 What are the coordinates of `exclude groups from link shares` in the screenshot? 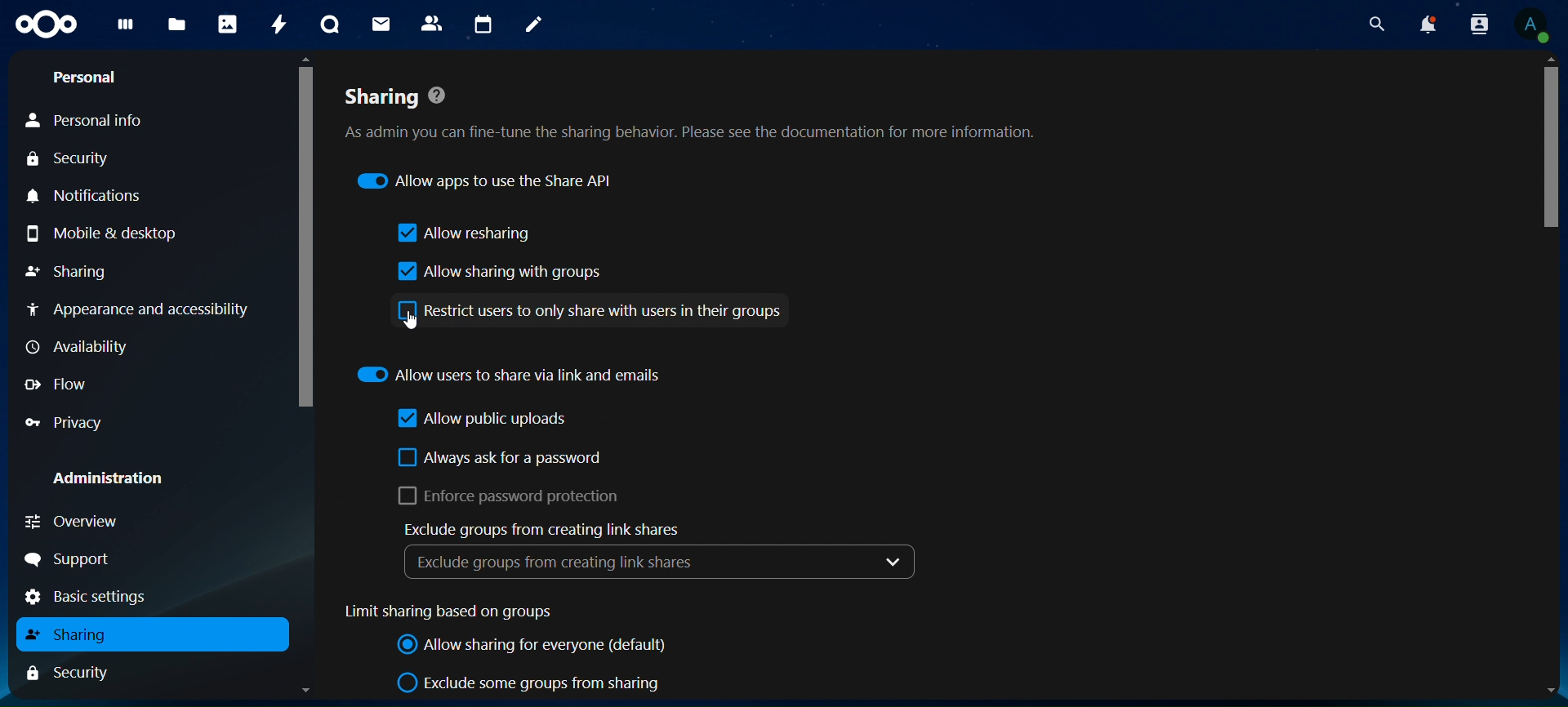 It's located at (661, 552).